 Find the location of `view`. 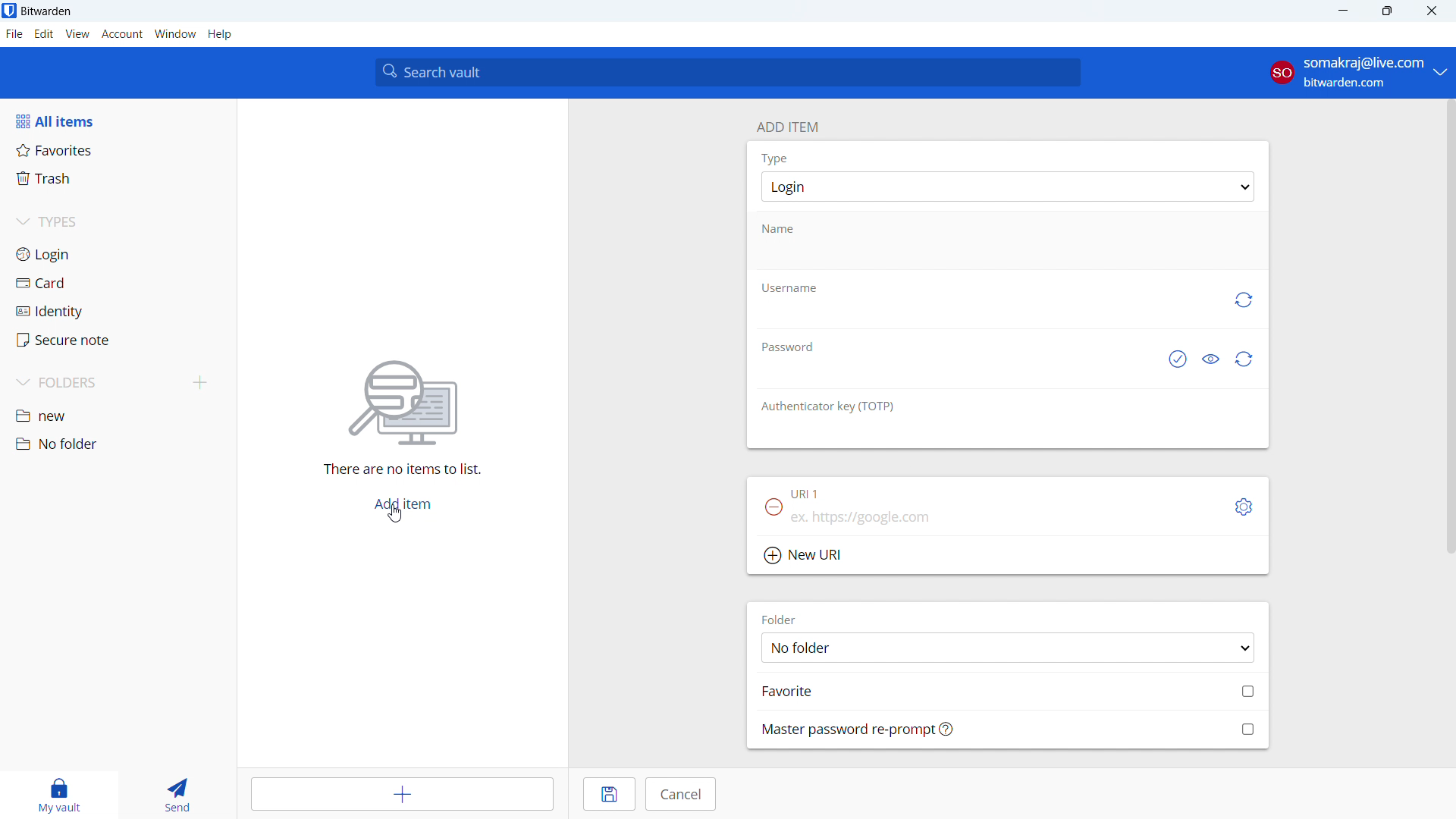

view is located at coordinates (77, 34).